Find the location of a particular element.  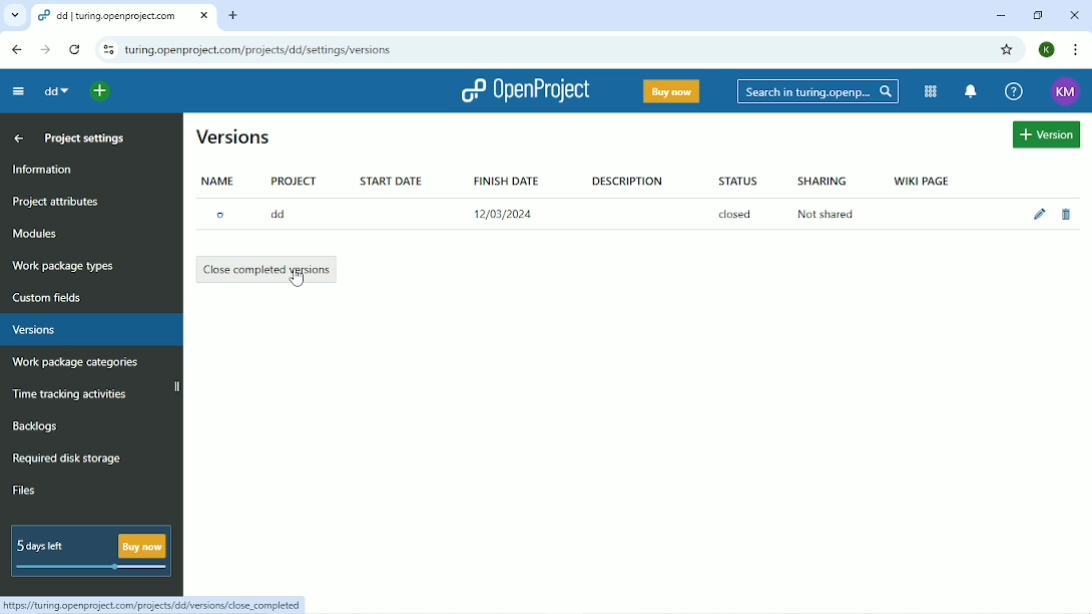

Customize and control google chrome is located at coordinates (1074, 50).